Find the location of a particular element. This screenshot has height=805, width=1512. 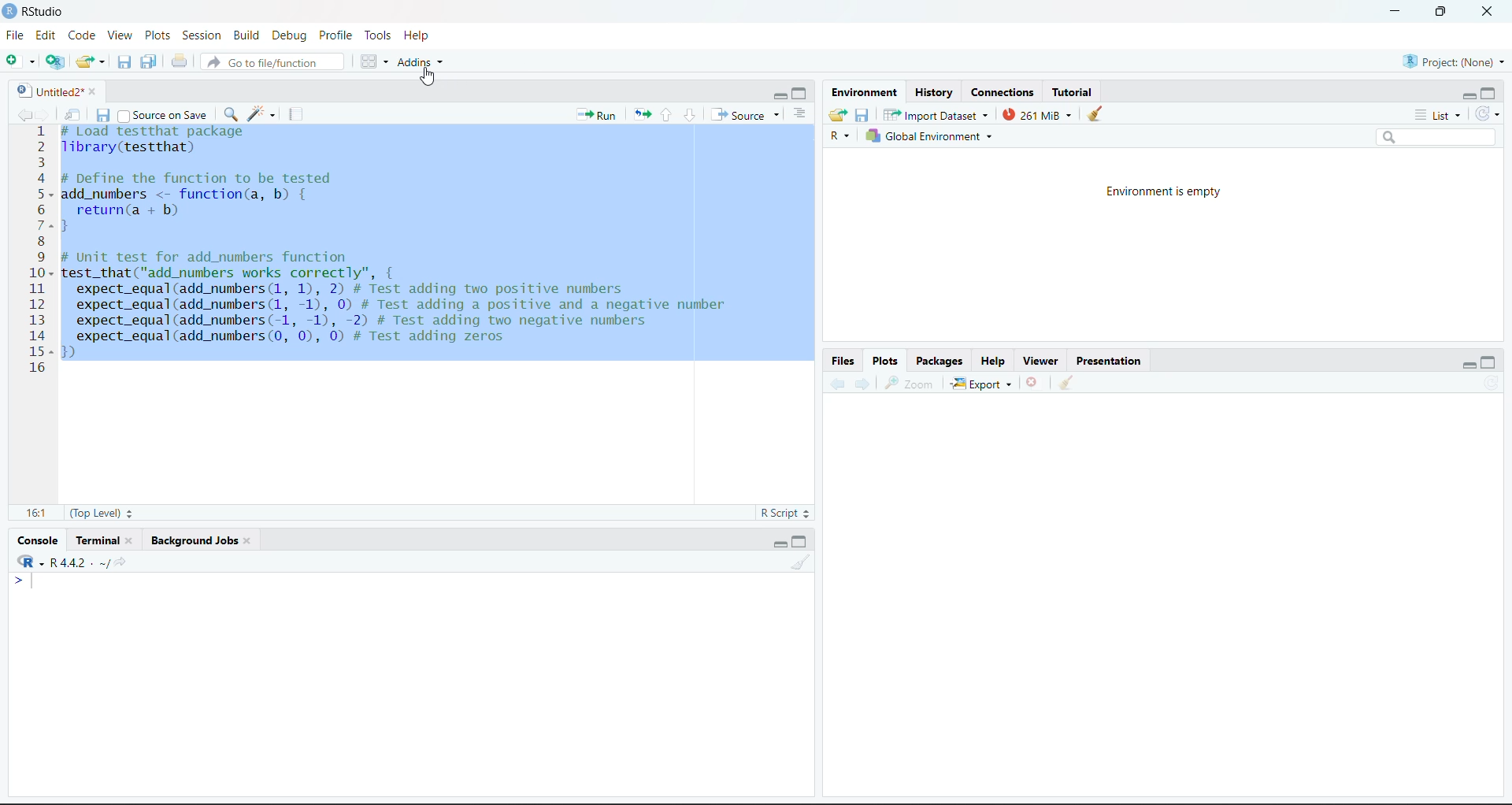

261 Mib is located at coordinates (1038, 115).